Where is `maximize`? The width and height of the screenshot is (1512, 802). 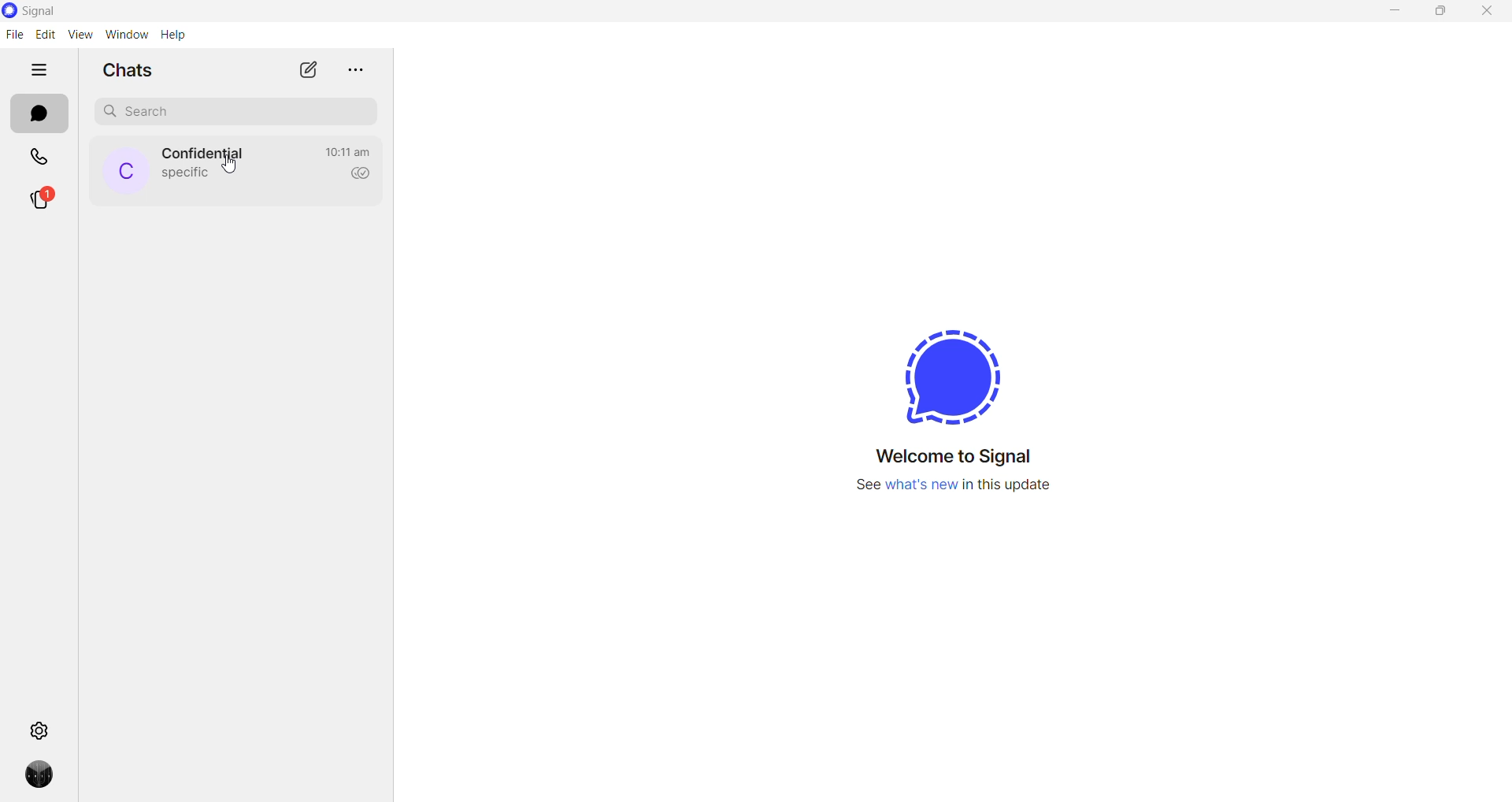
maximize is located at coordinates (1440, 12).